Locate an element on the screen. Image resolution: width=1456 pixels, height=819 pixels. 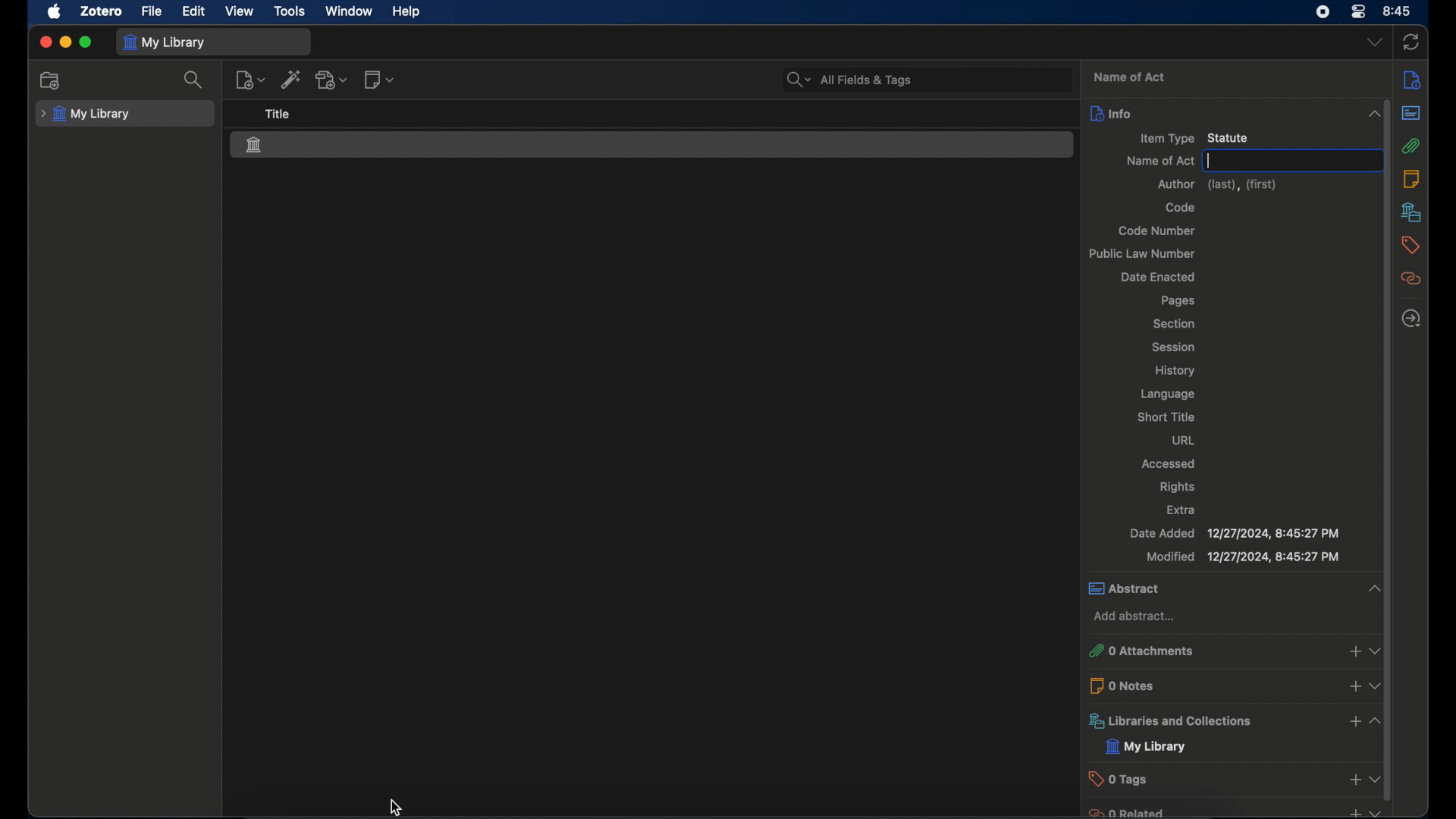
statue is located at coordinates (262, 146).